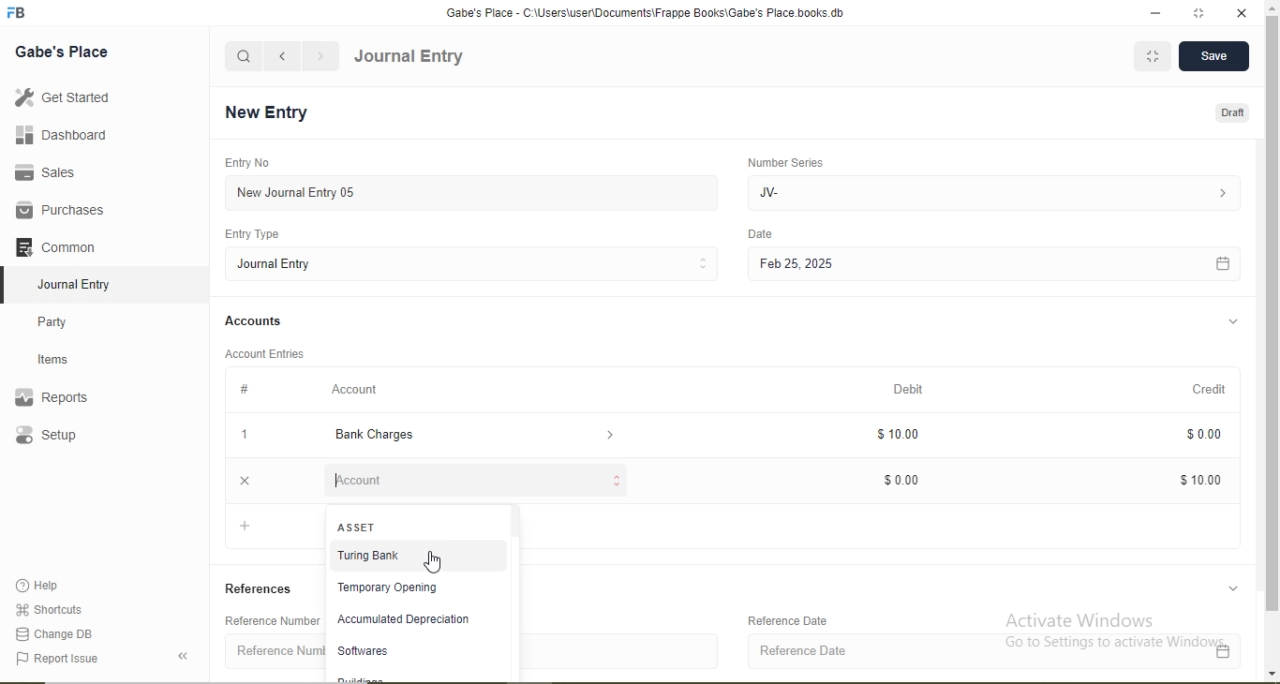 The image size is (1280, 684). Describe the element at coordinates (1006, 652) in the screenshot. I see `Reference Date` at that location.